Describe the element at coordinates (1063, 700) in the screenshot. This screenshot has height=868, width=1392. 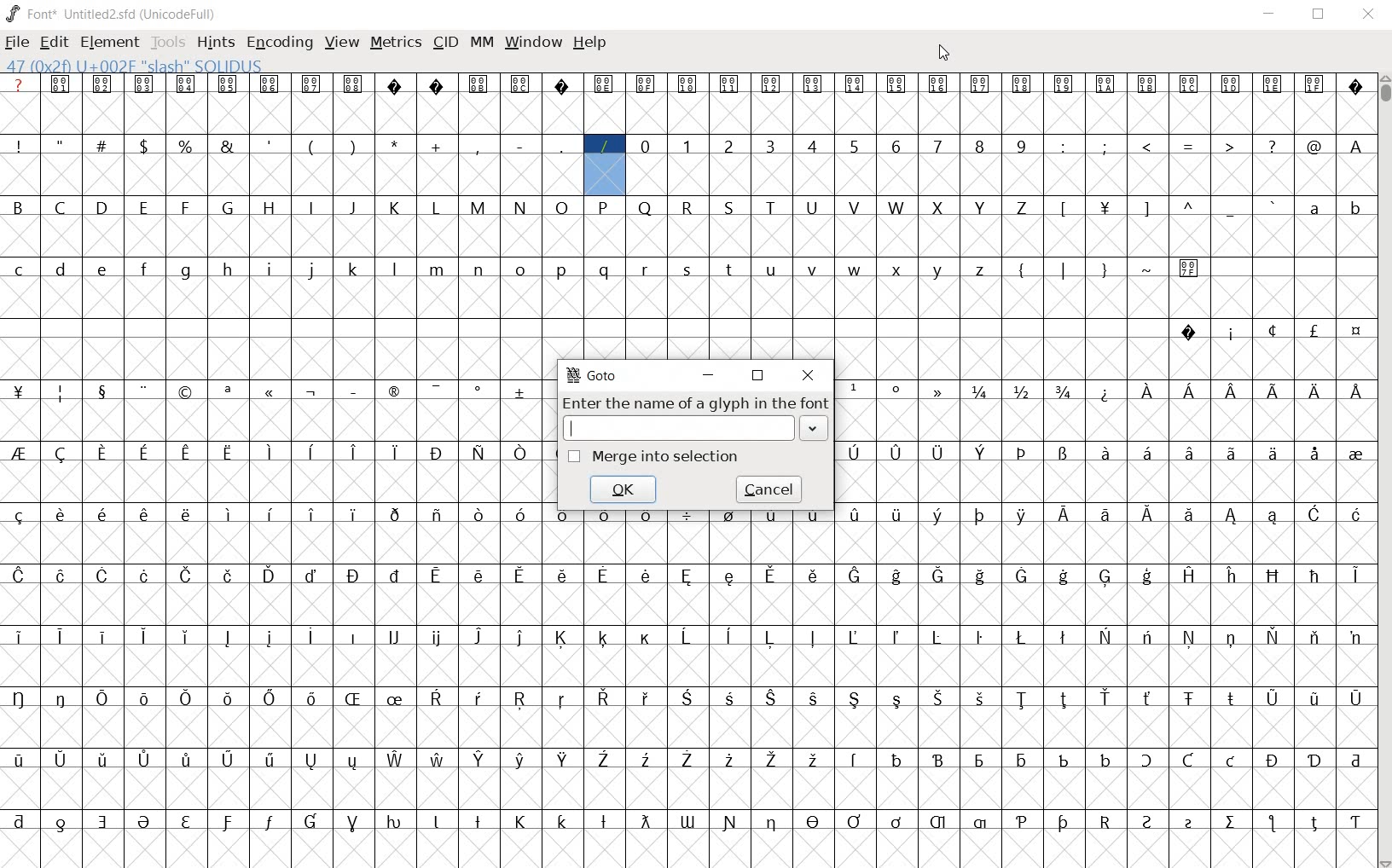
I see `glyph` at that location.